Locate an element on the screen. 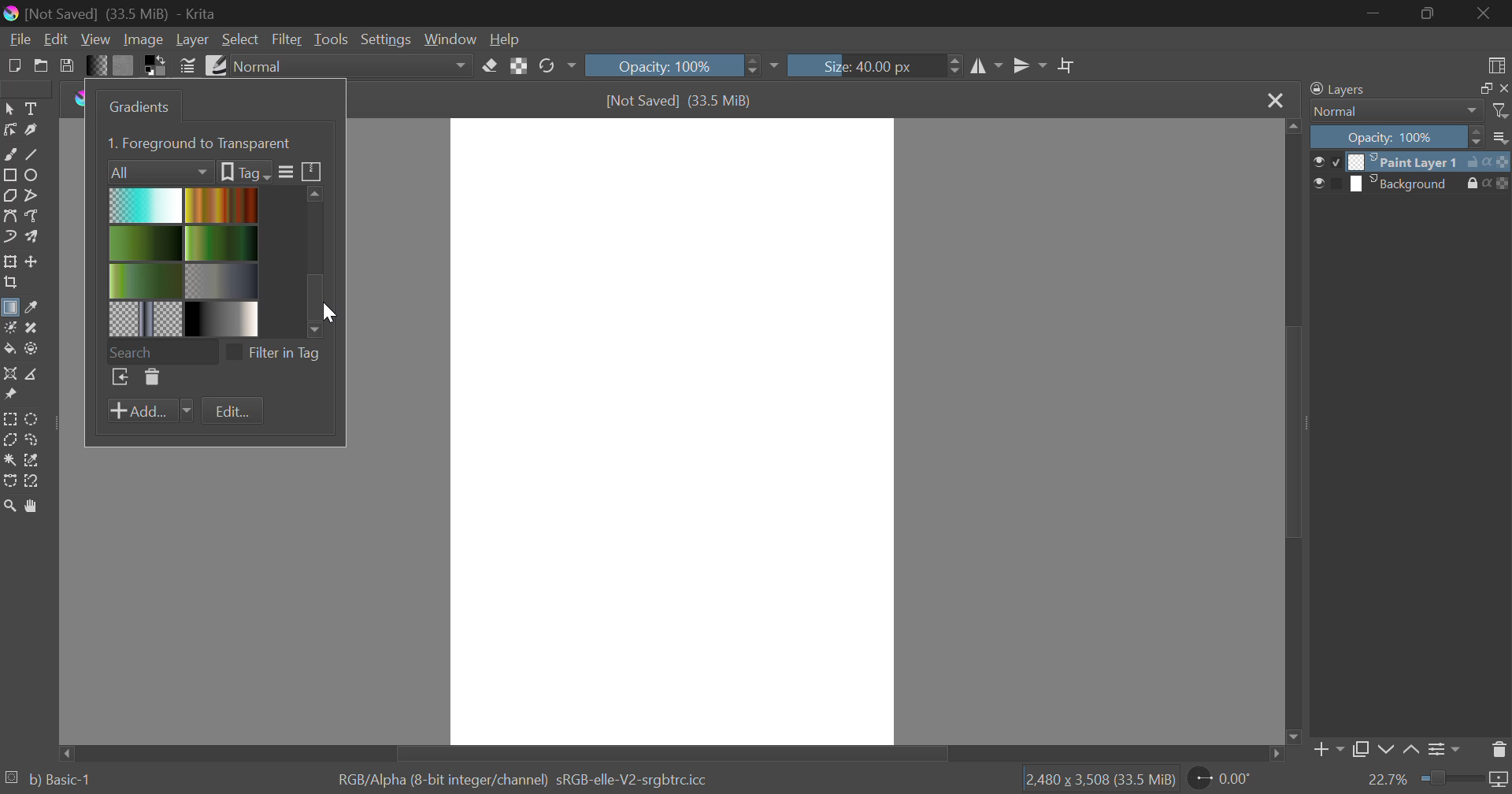 The width and height of the screenshot is (1512, 794). Pattern is located at coordinates (124, 65).